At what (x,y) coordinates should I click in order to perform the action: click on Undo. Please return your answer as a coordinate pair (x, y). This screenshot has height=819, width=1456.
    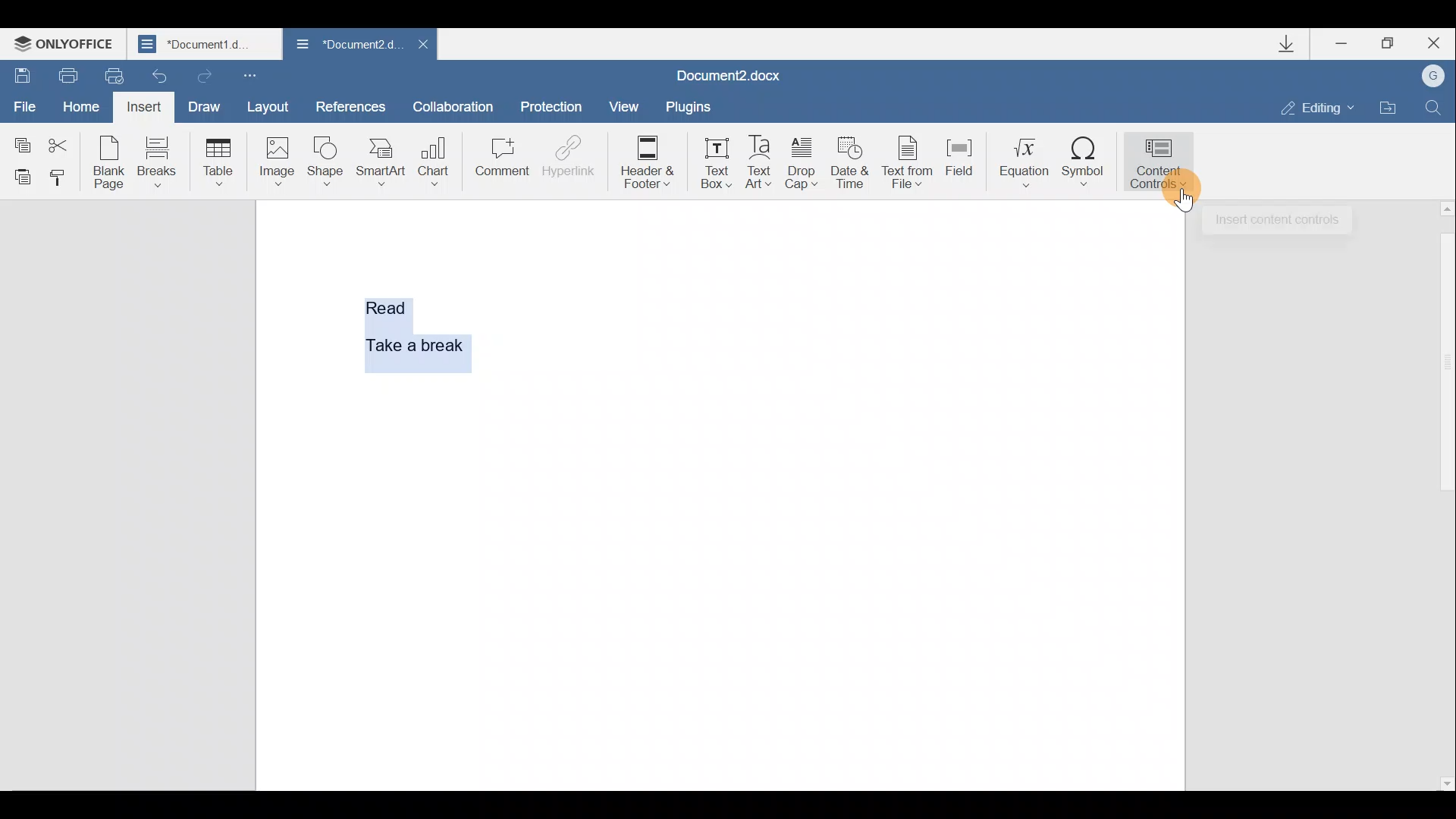
    Looking at the image, I should click on (155, 76).